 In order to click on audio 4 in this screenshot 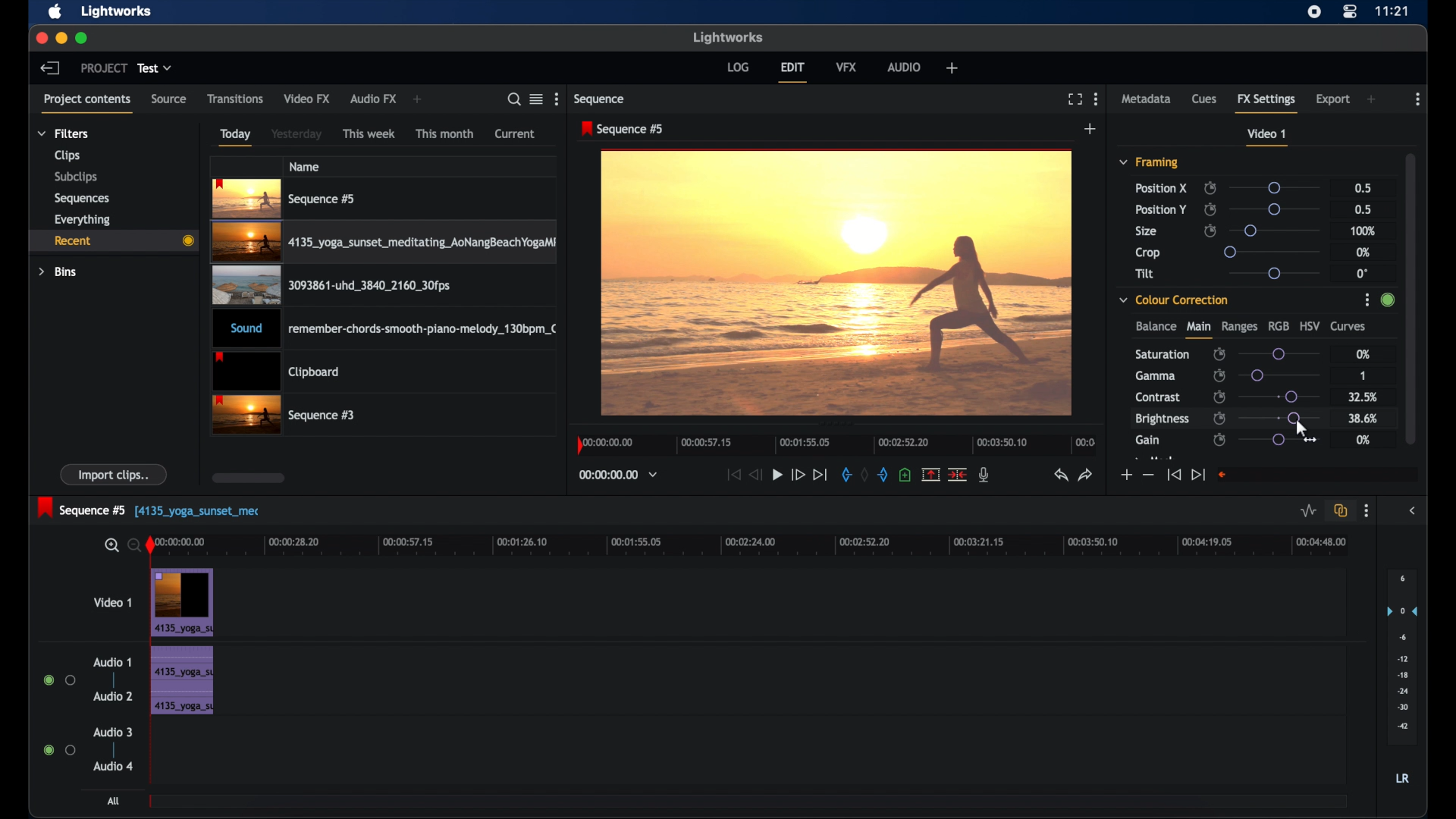, I will do `click(114, 765)`.